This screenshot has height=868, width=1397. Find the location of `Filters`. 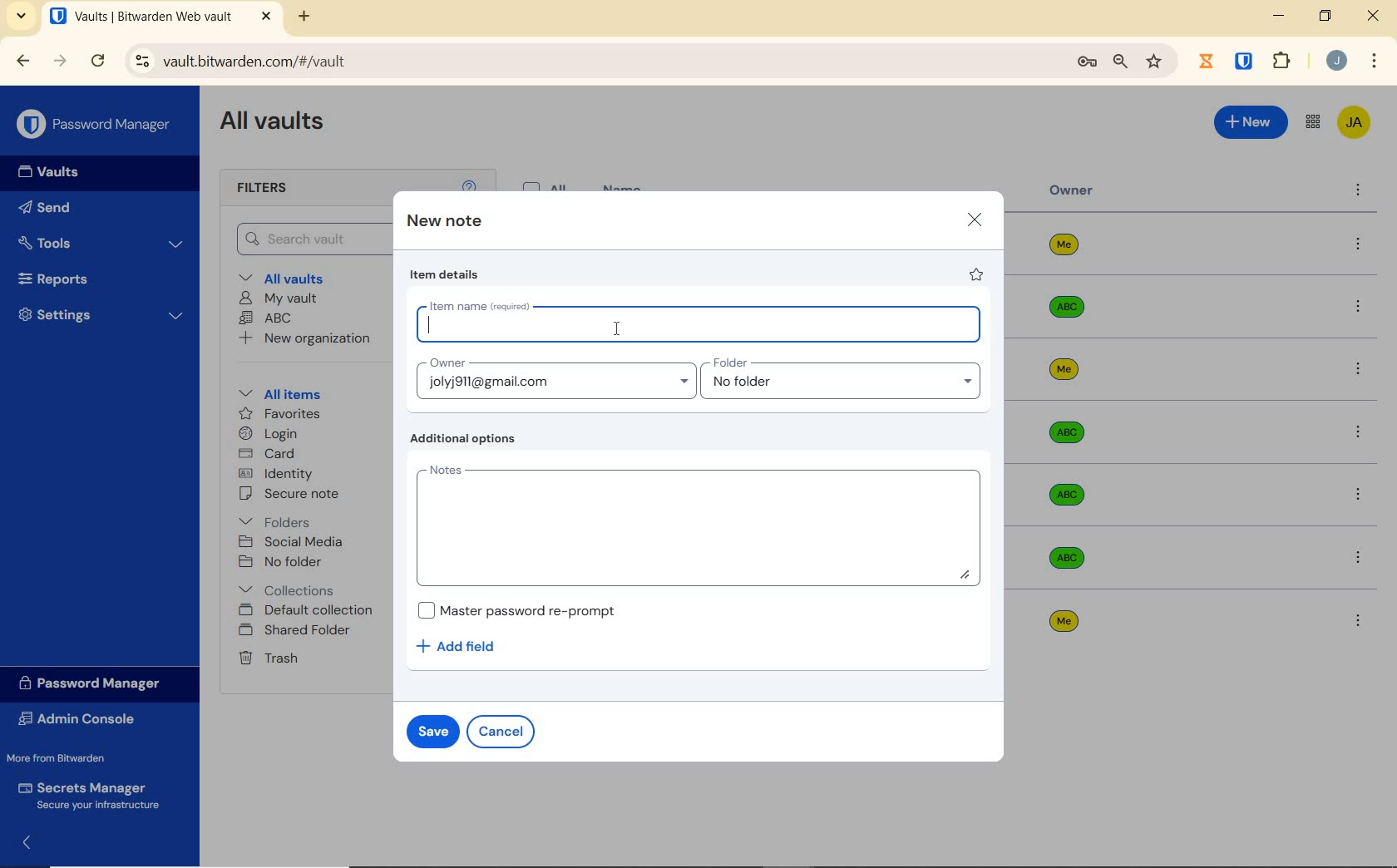

Filters is located at coordinates (265, 189).